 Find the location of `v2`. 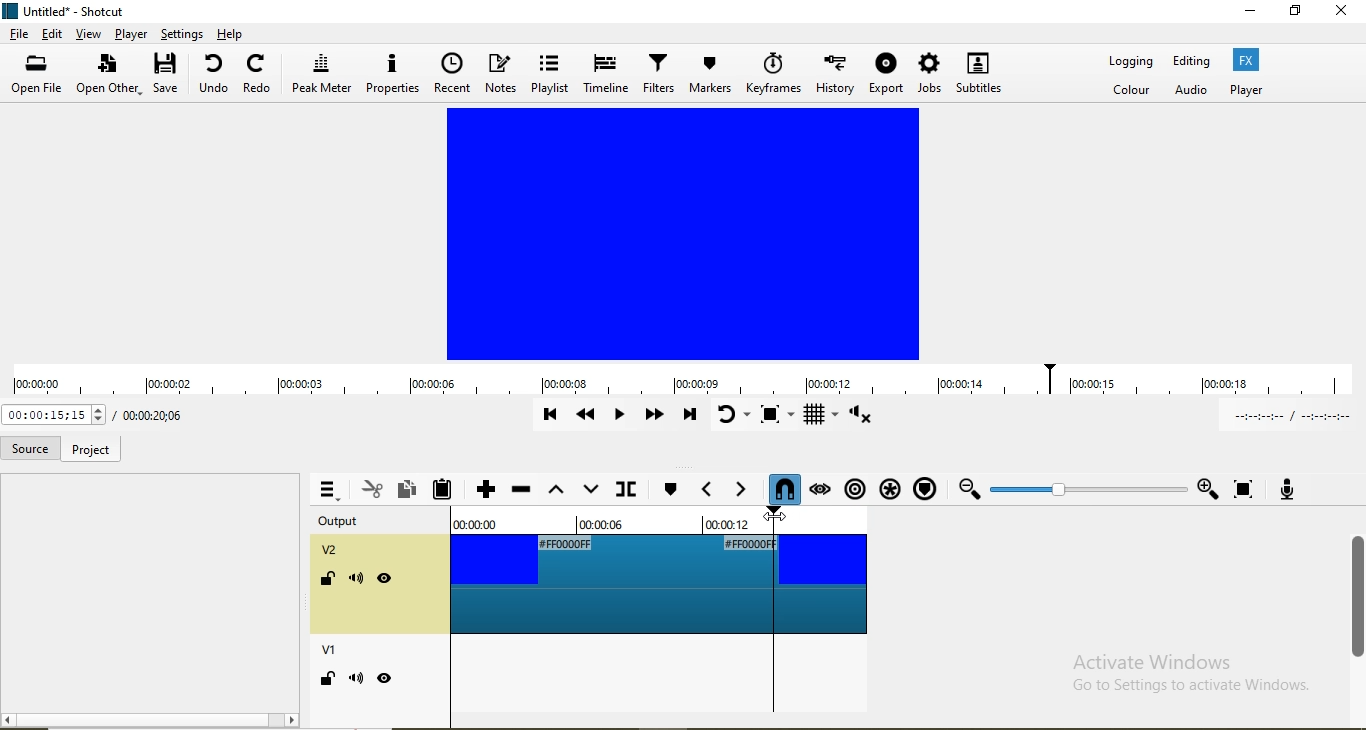

v2 is located at coordinates (333, 552).